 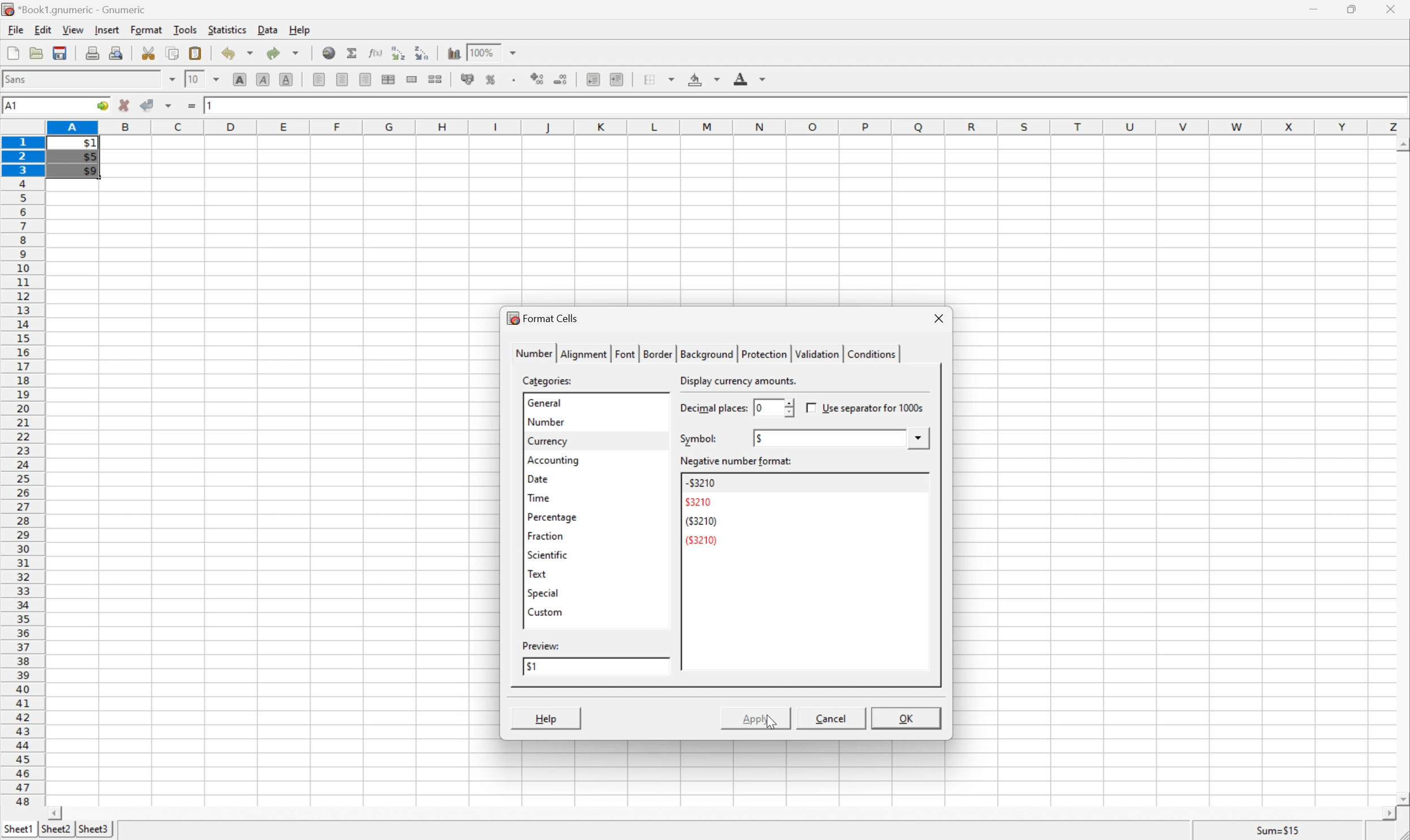 What do you see at coordinates (14, 50) in the screenshot?
I see `new` at bounding box center [14, 50].